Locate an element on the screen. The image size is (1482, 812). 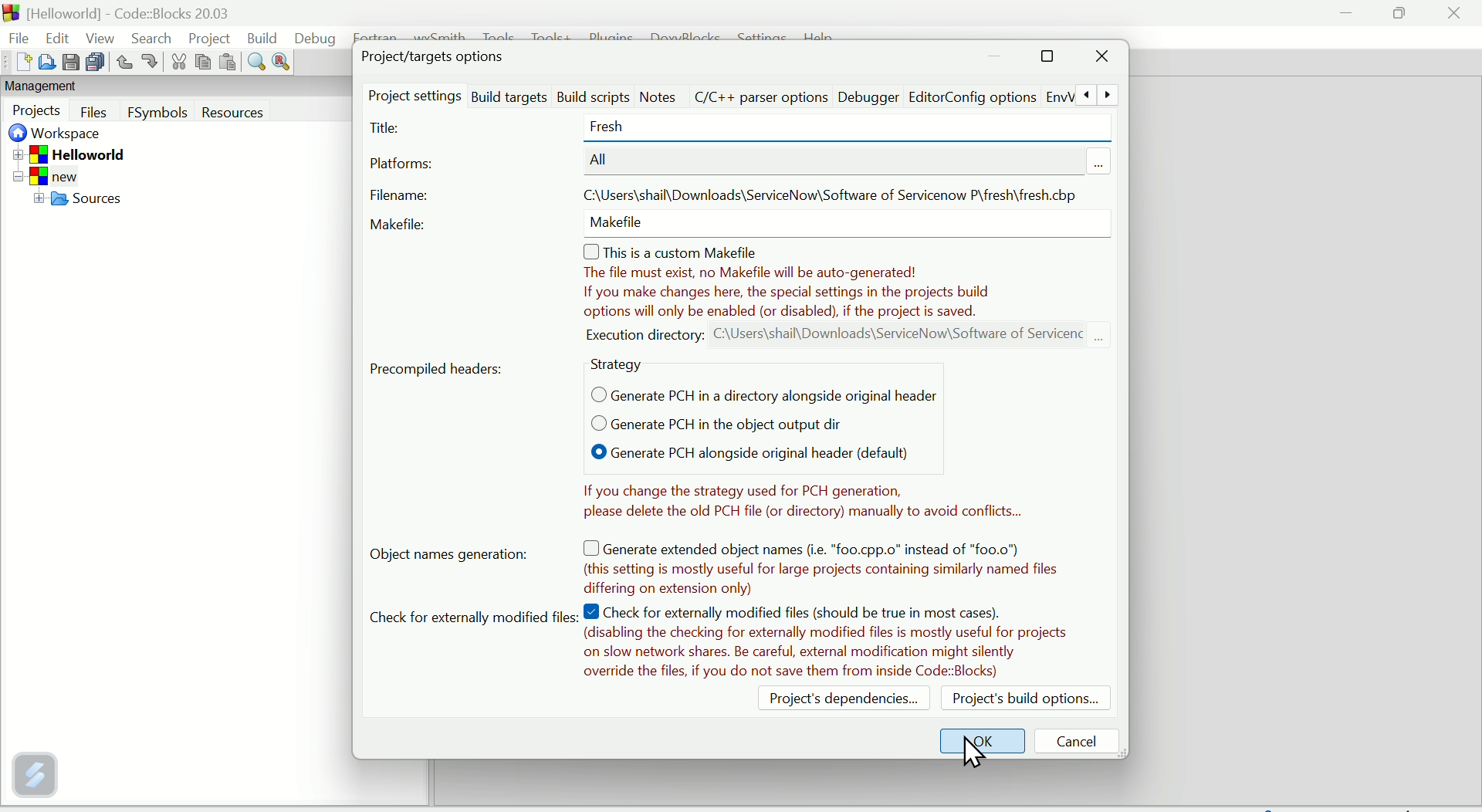
Debug  is located at coordinates (315, 37).